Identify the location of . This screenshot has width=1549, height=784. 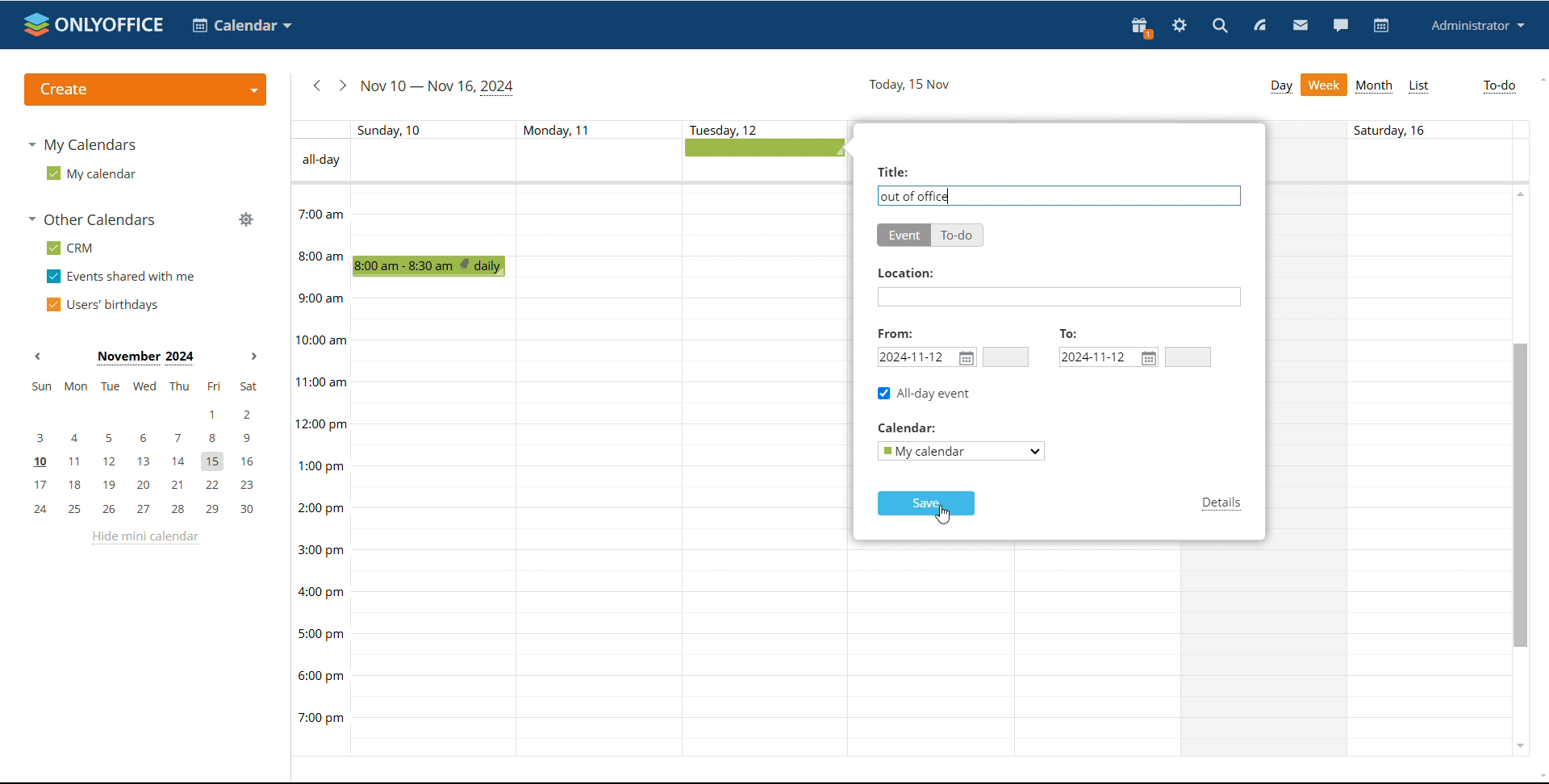
(905, 272).